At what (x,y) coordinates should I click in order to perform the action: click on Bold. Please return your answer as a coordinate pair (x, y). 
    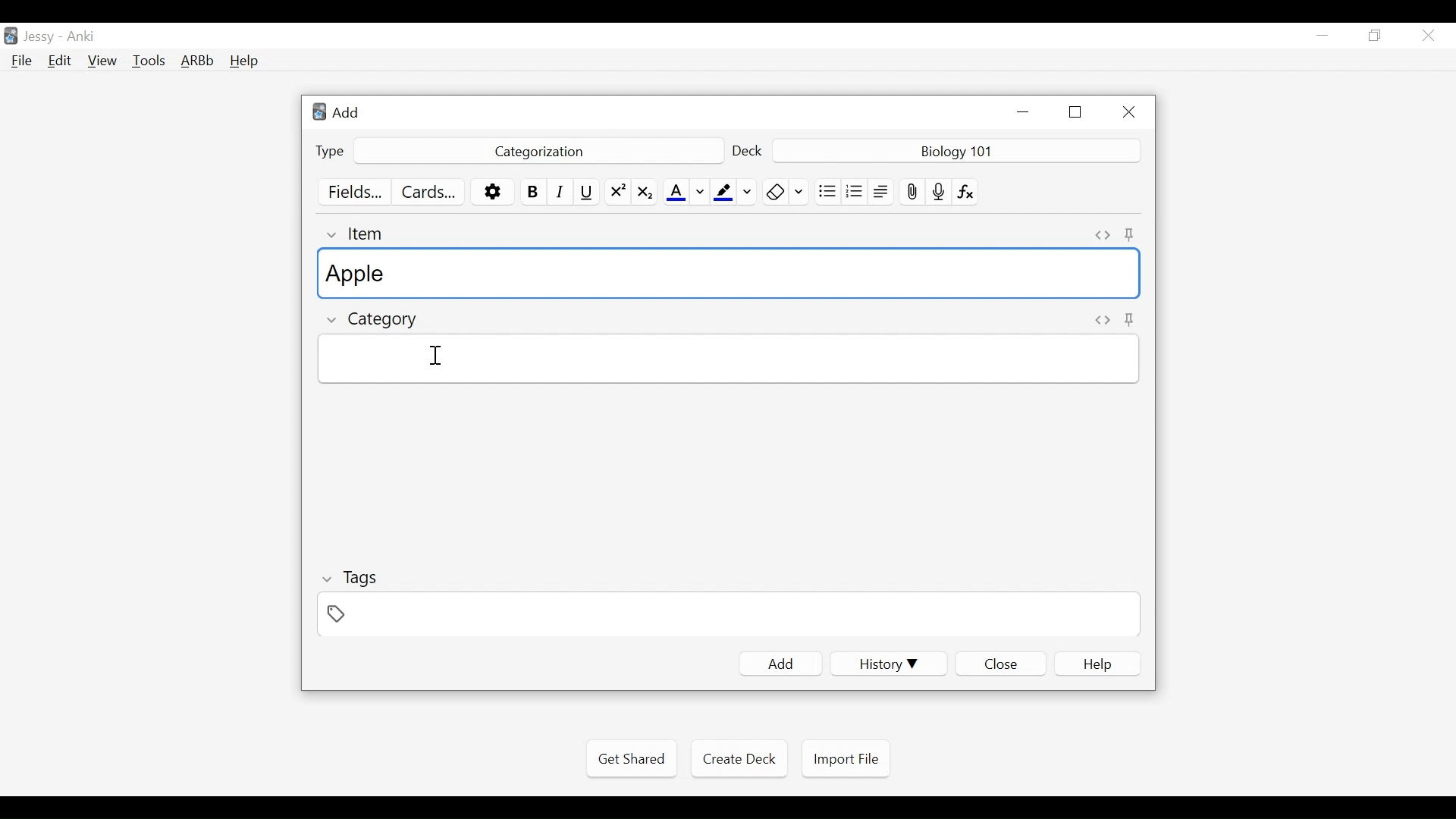
    Looking at the image, I should click on (534, 192).